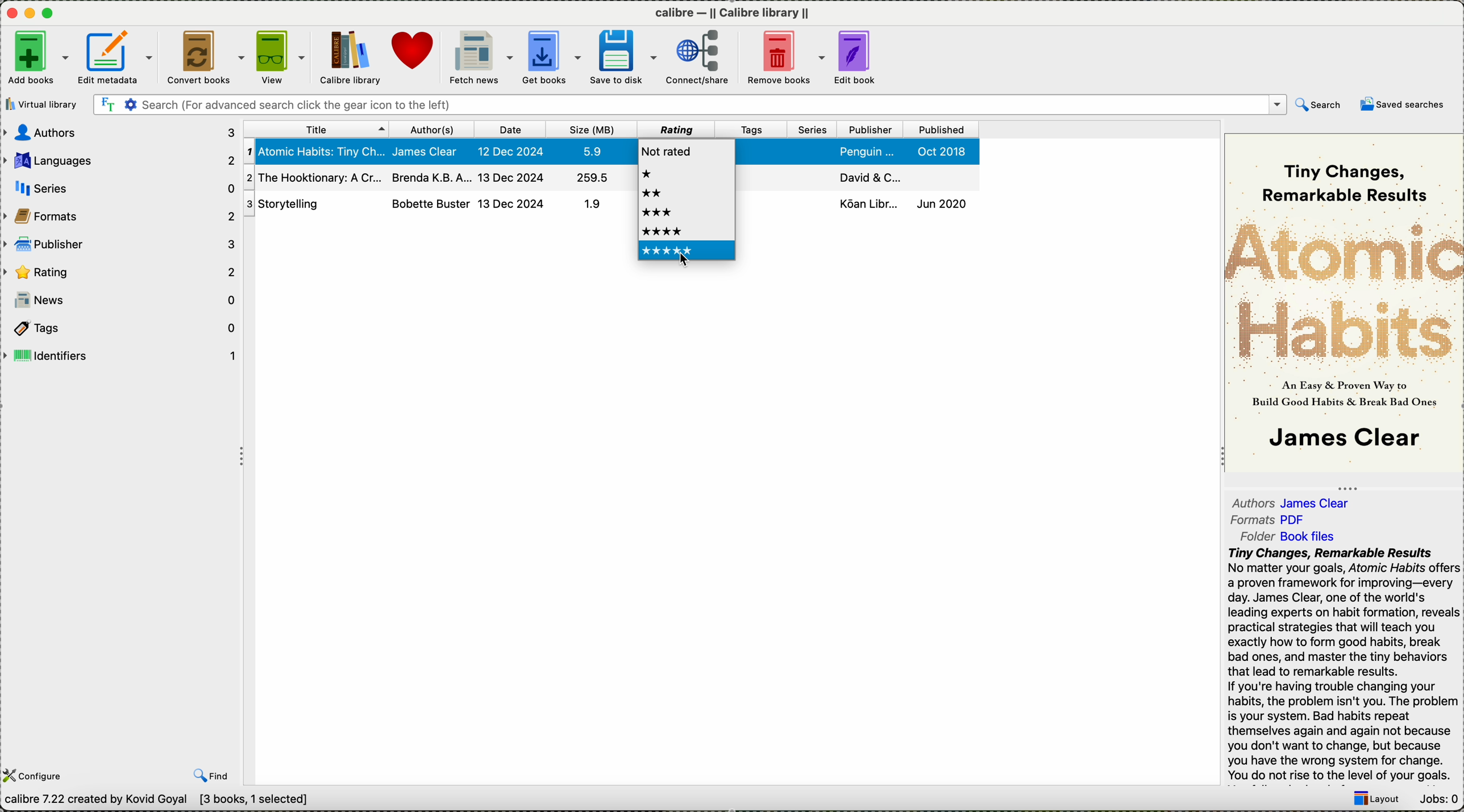  Describe the element at coordinates (413, 51) in the screenshot. I see `donate` at that location.